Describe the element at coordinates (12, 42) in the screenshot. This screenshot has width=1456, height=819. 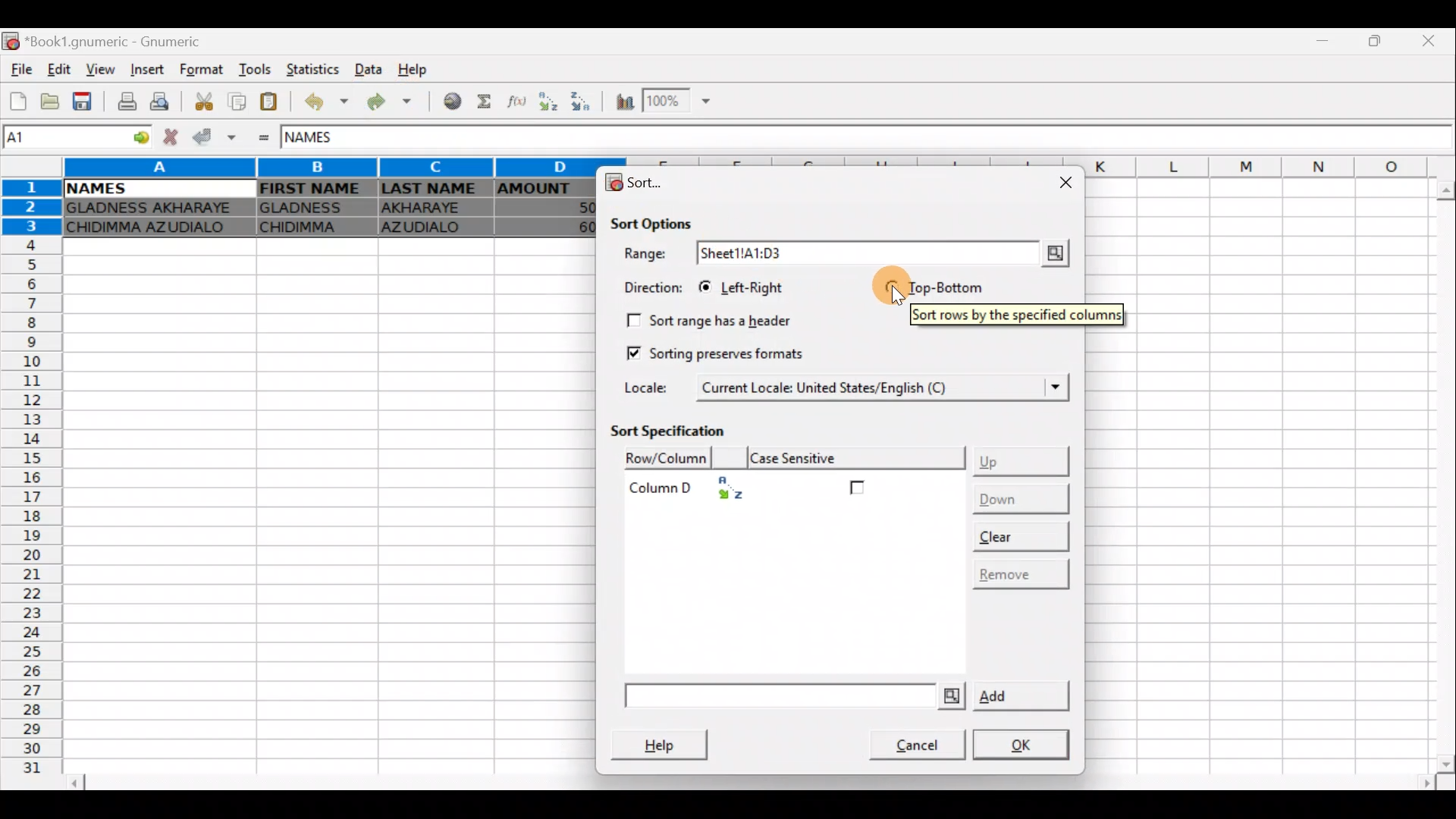
I see `Gnumeric logo` at that location.